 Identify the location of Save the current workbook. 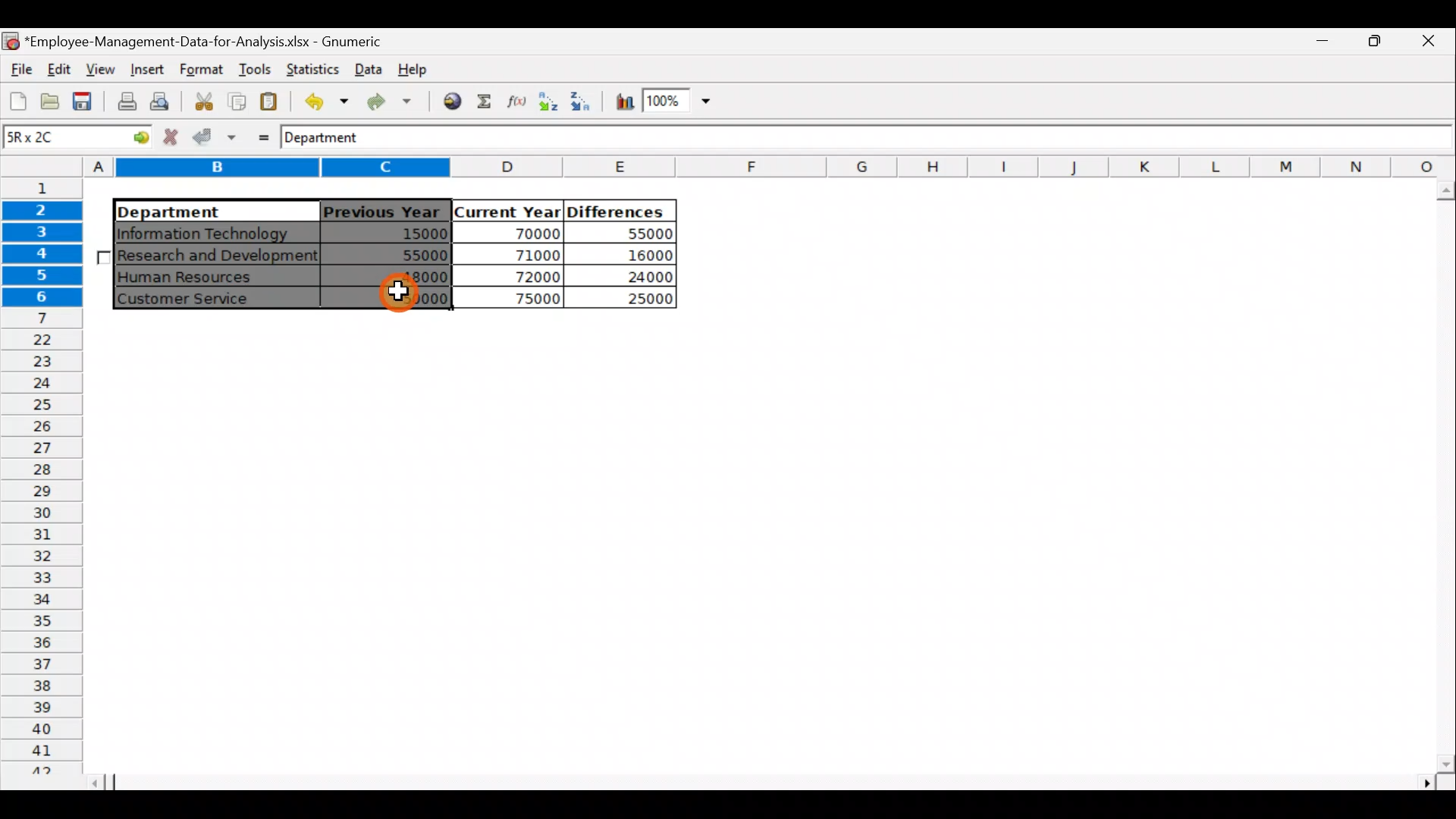
(83, 102).